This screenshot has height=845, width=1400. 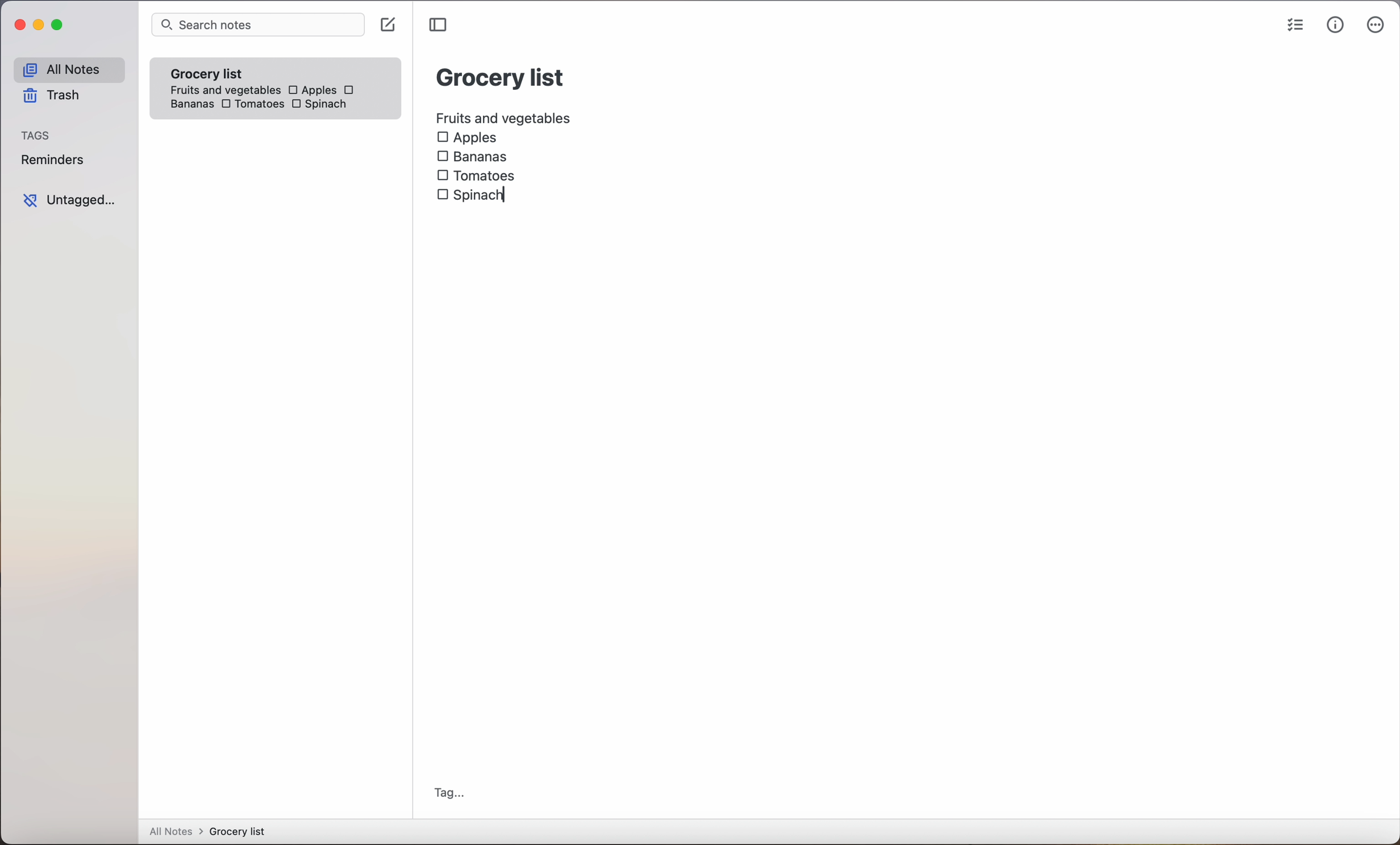 I want to click on Spinach checkbox, so click(x=473, y=196).